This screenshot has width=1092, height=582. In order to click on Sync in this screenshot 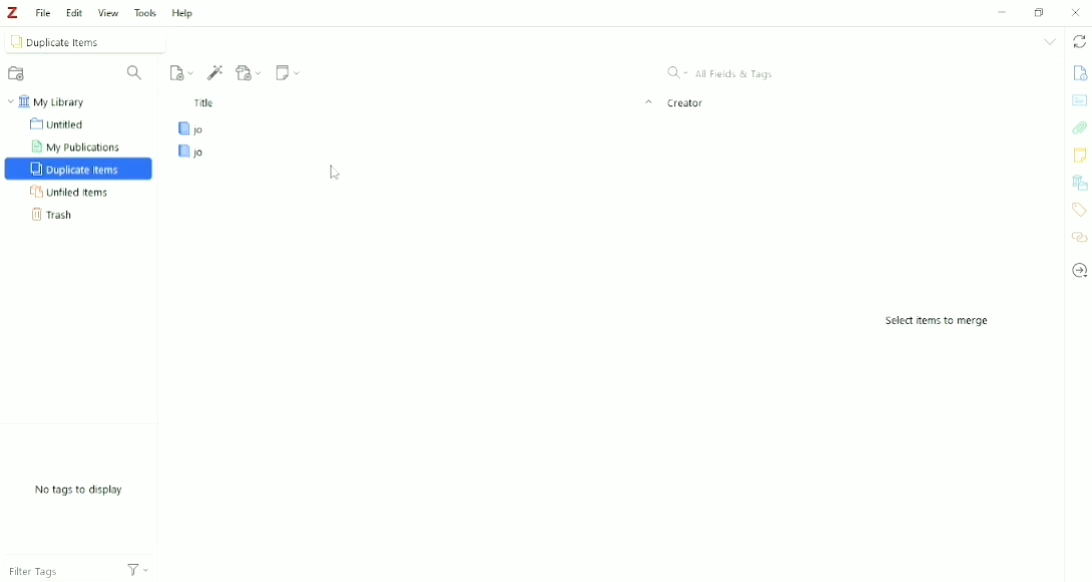, I will do `click(1080, 42)`.